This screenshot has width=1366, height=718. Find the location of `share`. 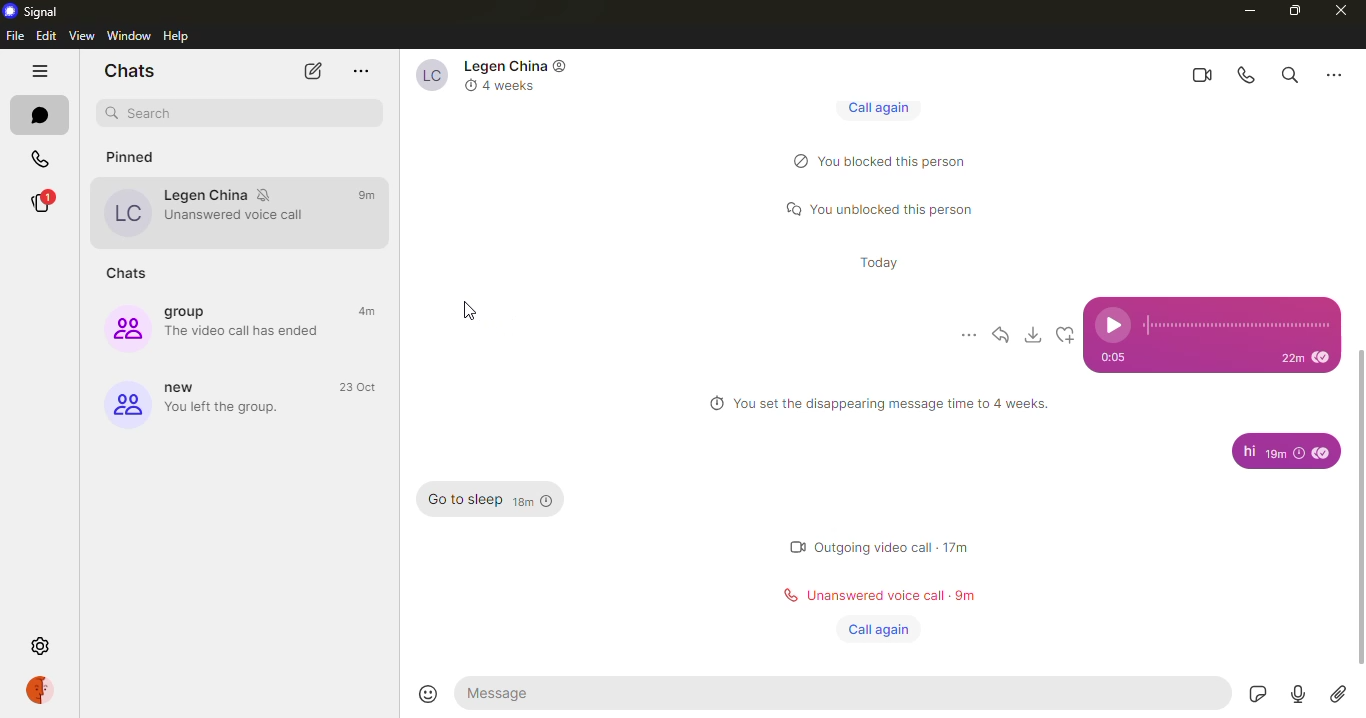

share is located at coordinates (999, 335).